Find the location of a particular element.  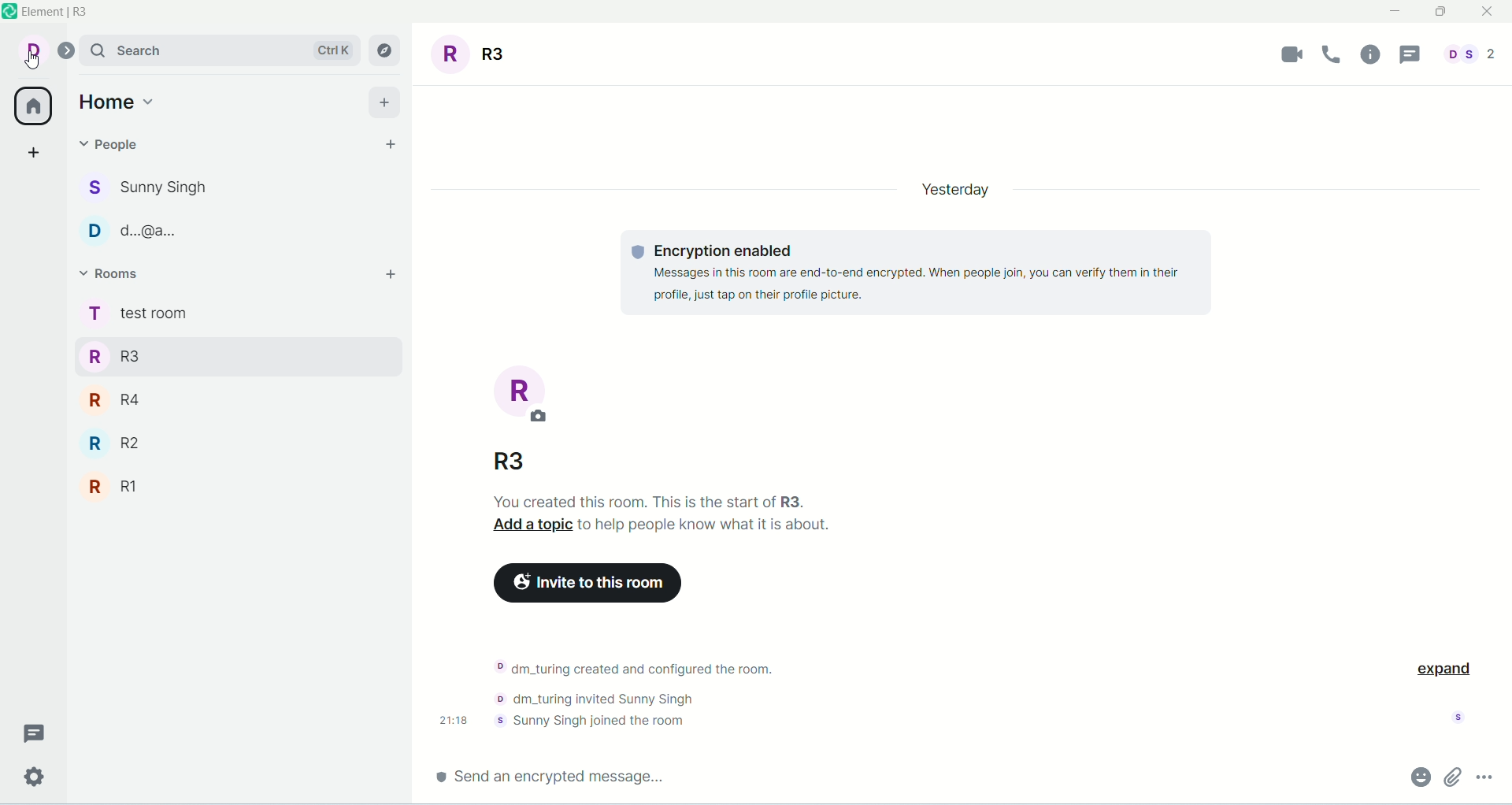

threads is located at coordinates (1407, 55).